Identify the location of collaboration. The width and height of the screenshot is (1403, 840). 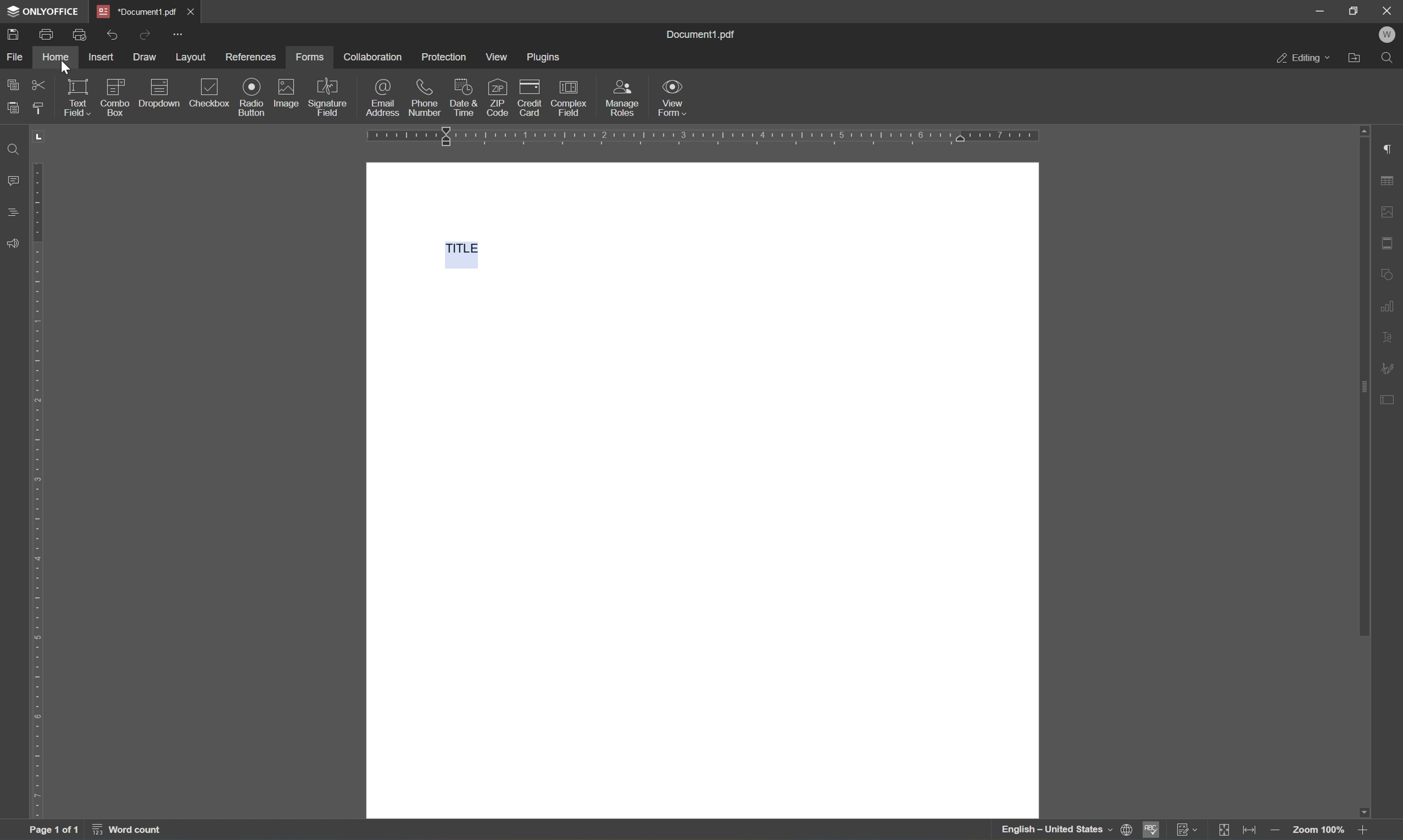
(377, 57).